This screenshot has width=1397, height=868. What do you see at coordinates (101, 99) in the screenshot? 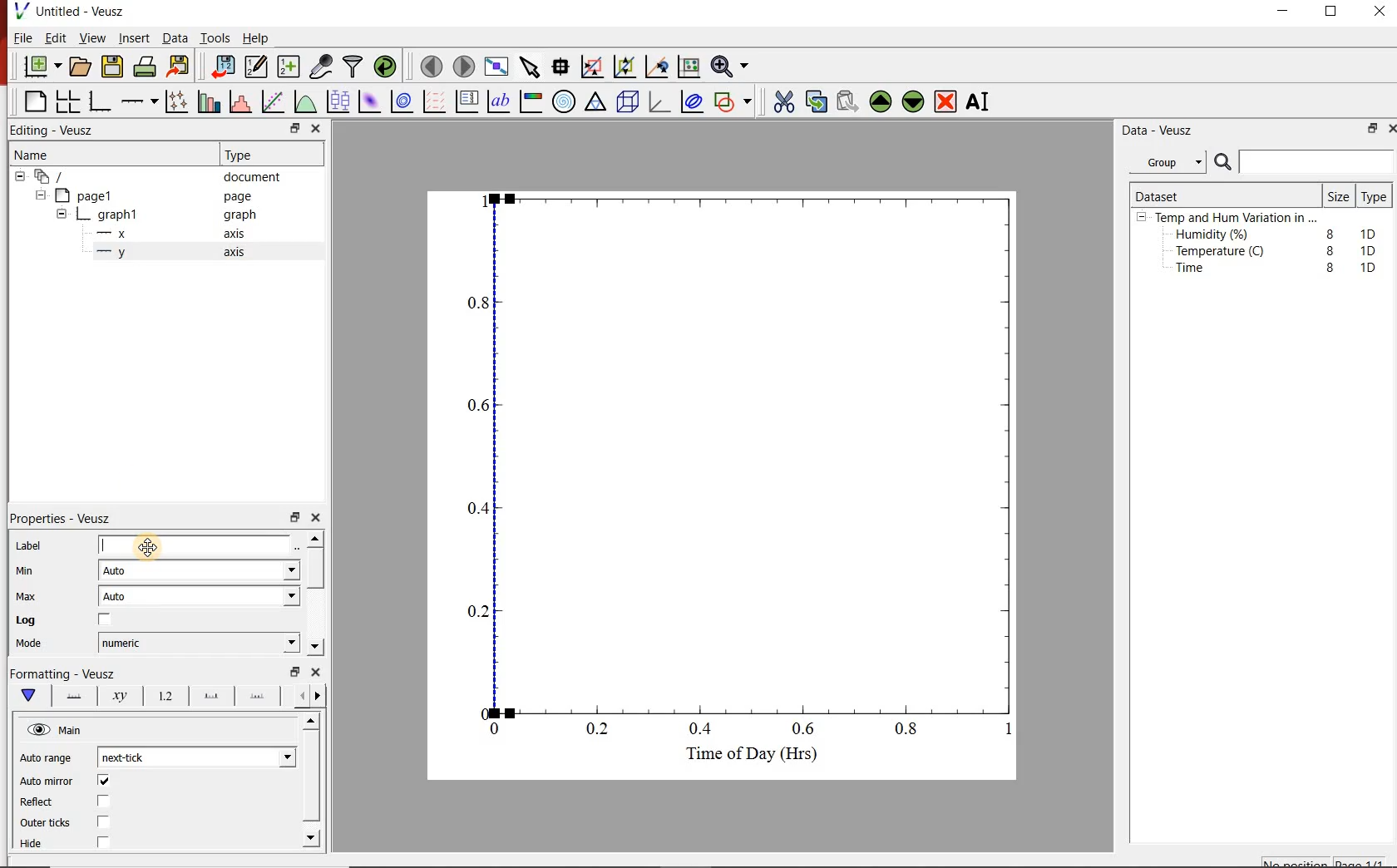
I see `base graph` at bounding box center [101, 99].